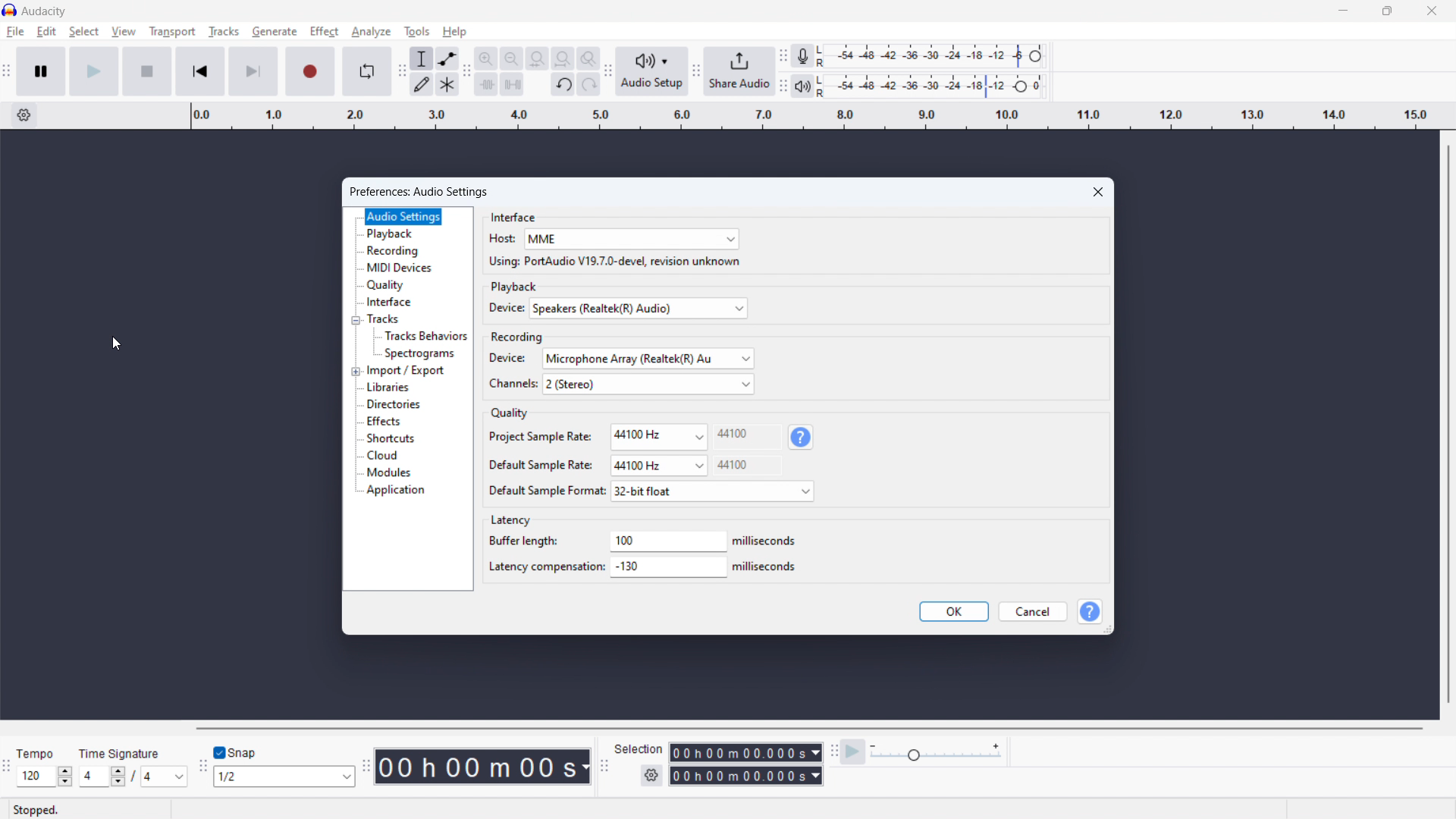 The height and width of the screenshot is (819, 1456). I want to click on expand, so click(356, 372).